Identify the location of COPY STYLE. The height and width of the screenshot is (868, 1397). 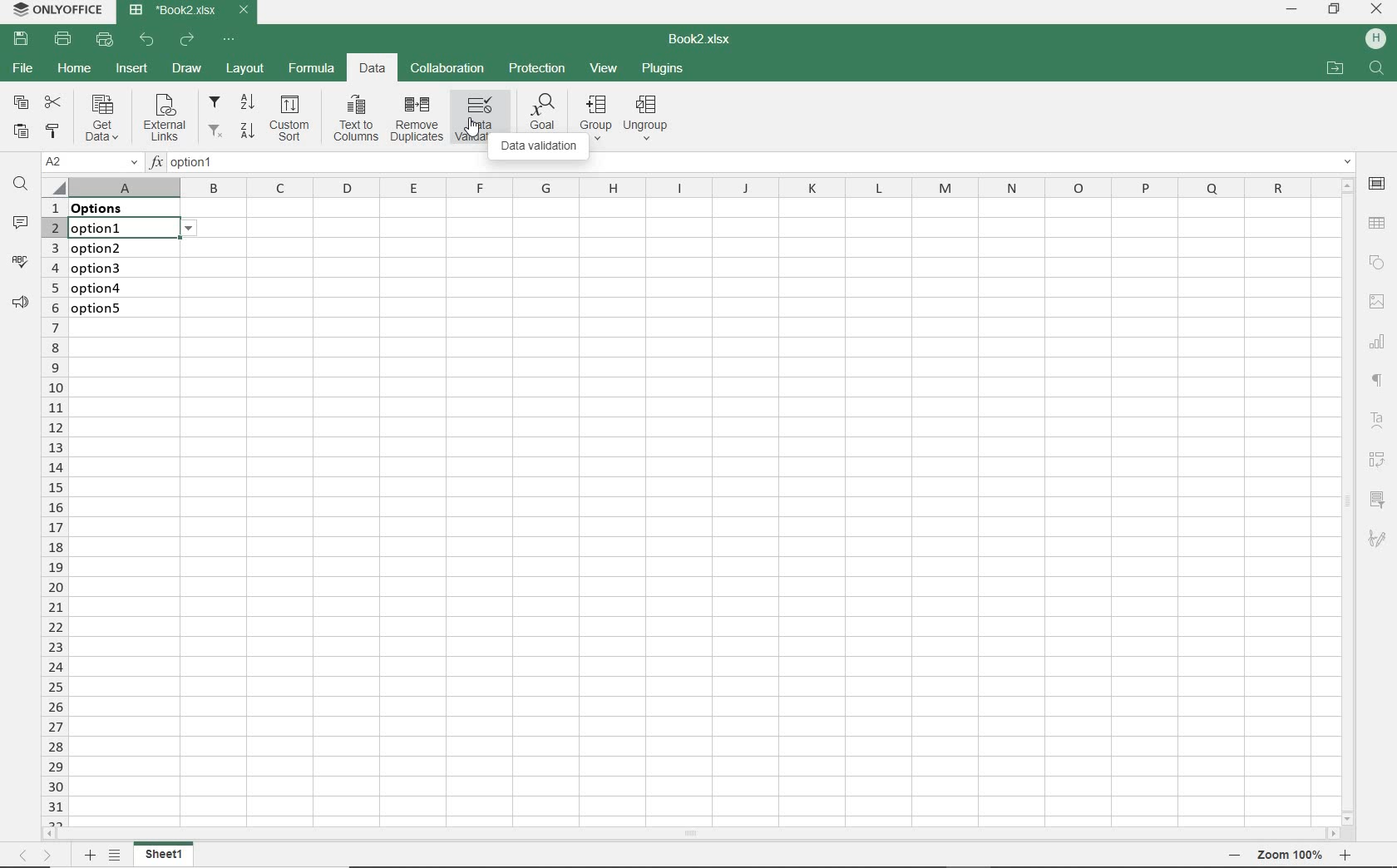
(53, 131).